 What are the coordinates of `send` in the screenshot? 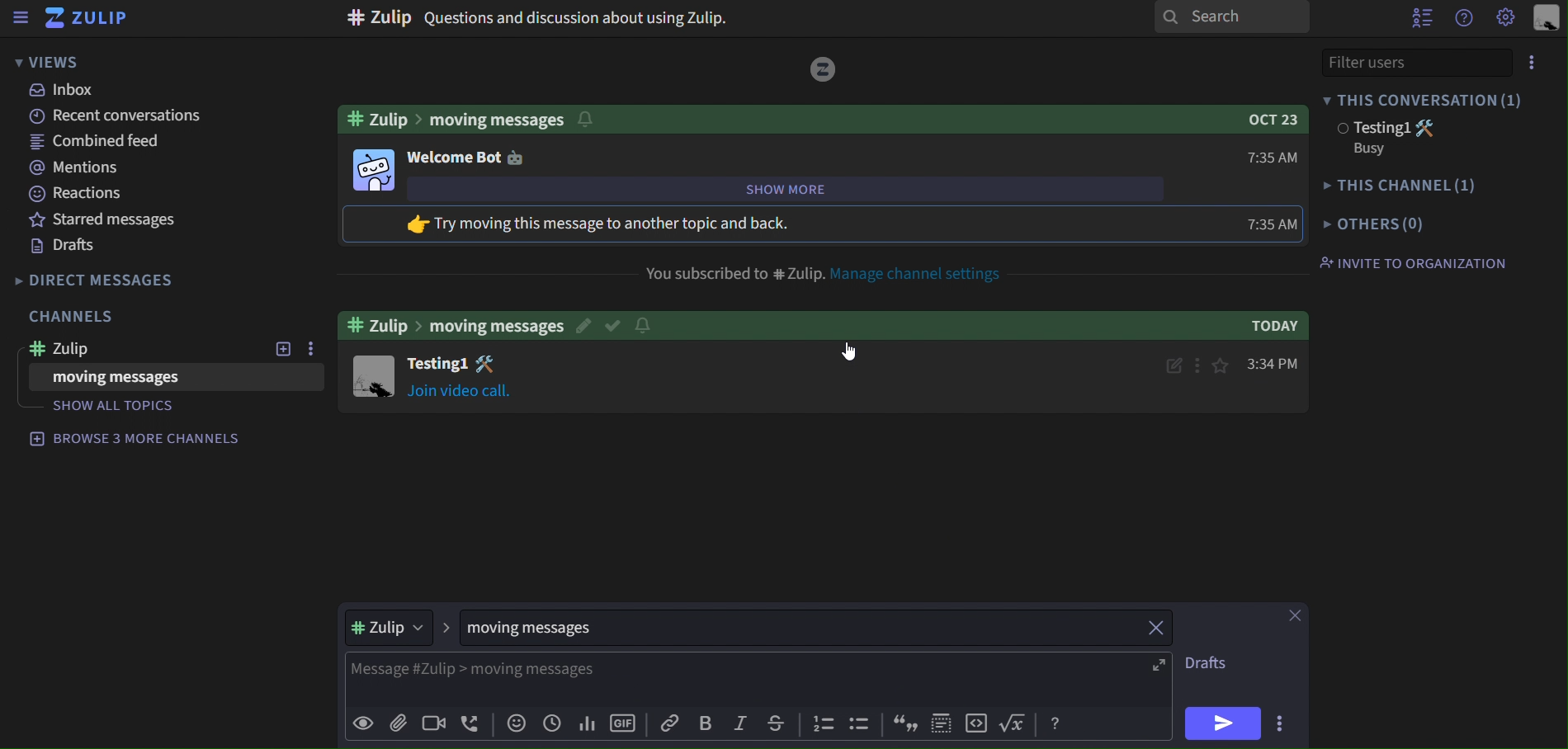 It's located at (1218, 723).